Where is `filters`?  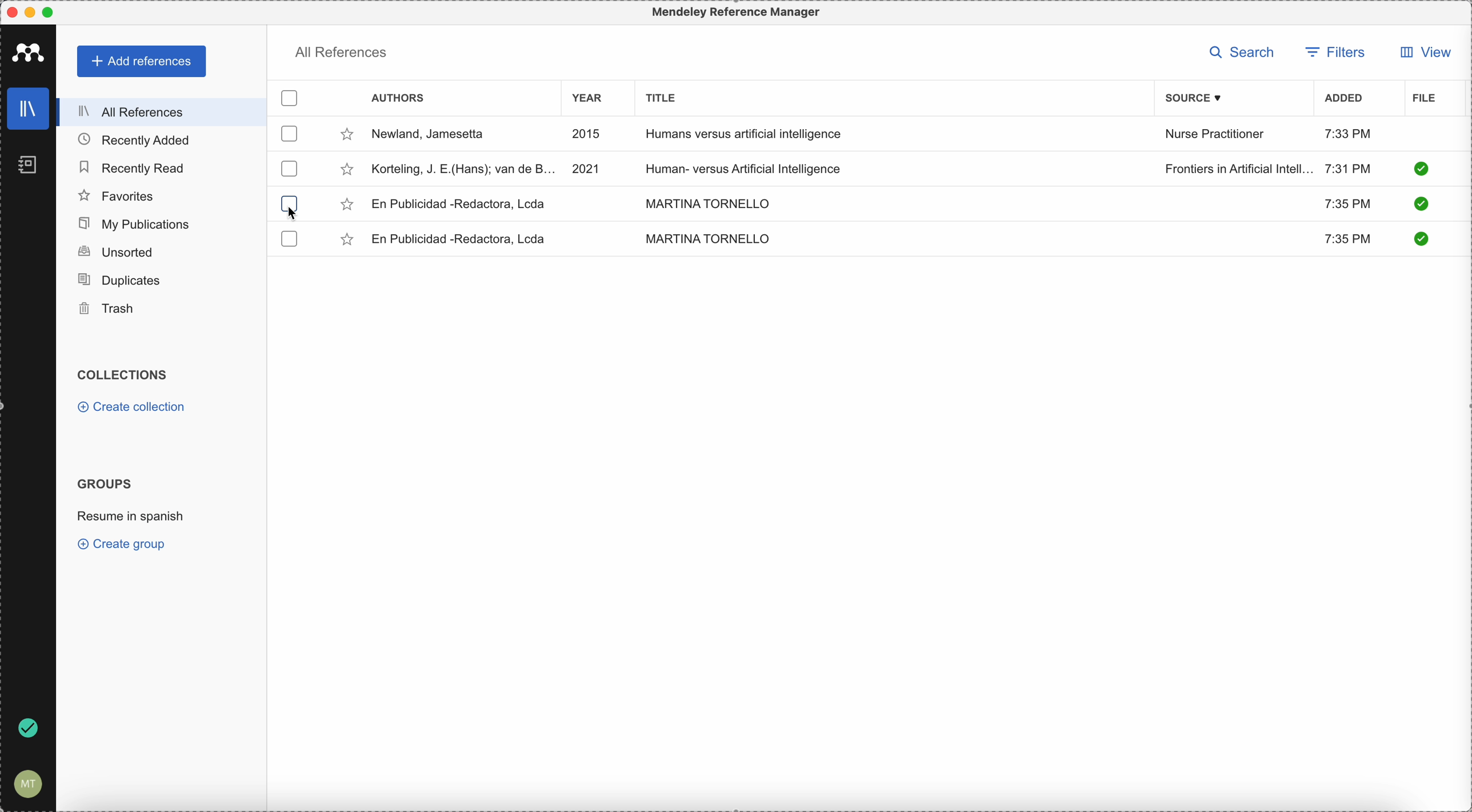
filters is located at coordinates (1335, 54).